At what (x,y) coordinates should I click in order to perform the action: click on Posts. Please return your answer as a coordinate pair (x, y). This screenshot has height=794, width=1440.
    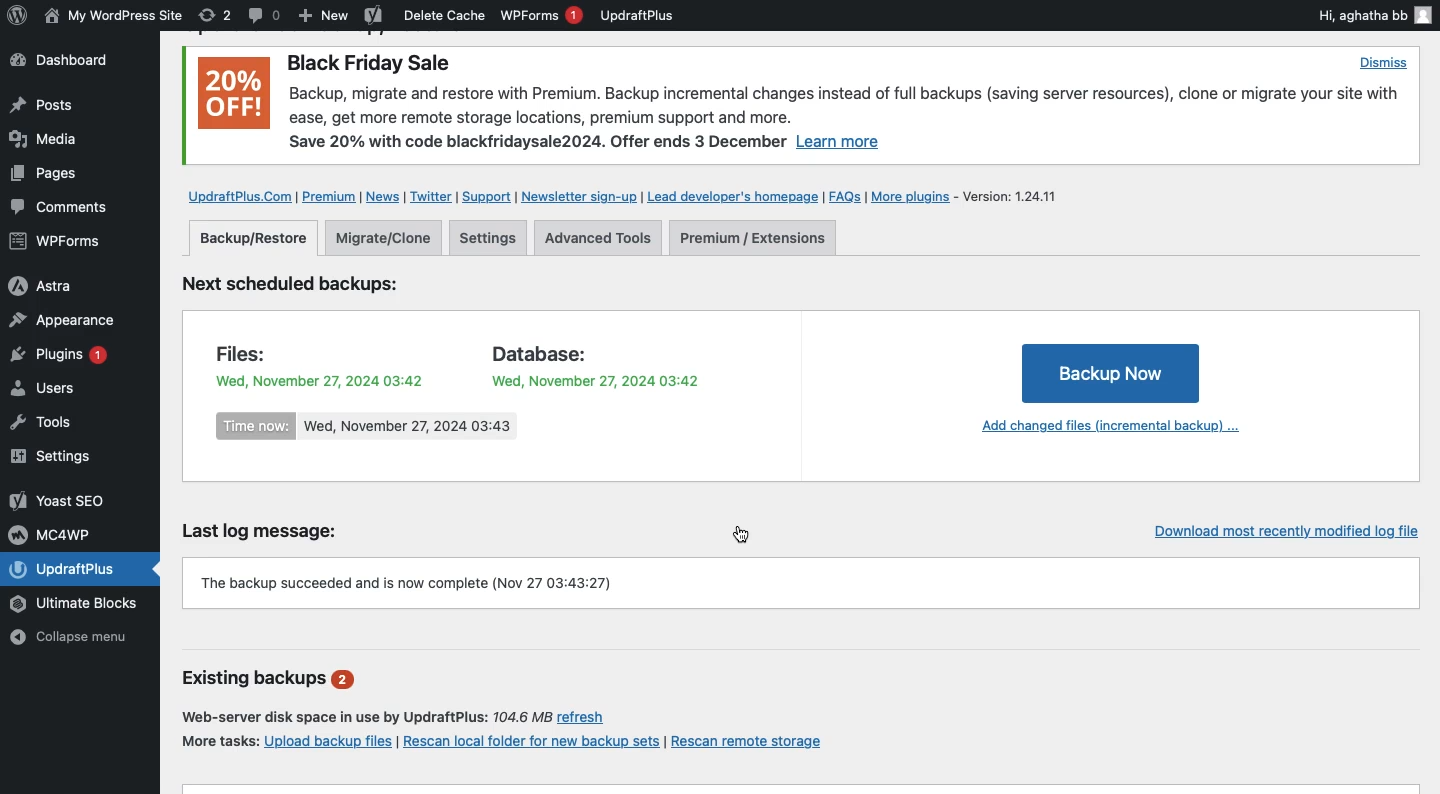
    Looking at the image, I should click on (40, 105).